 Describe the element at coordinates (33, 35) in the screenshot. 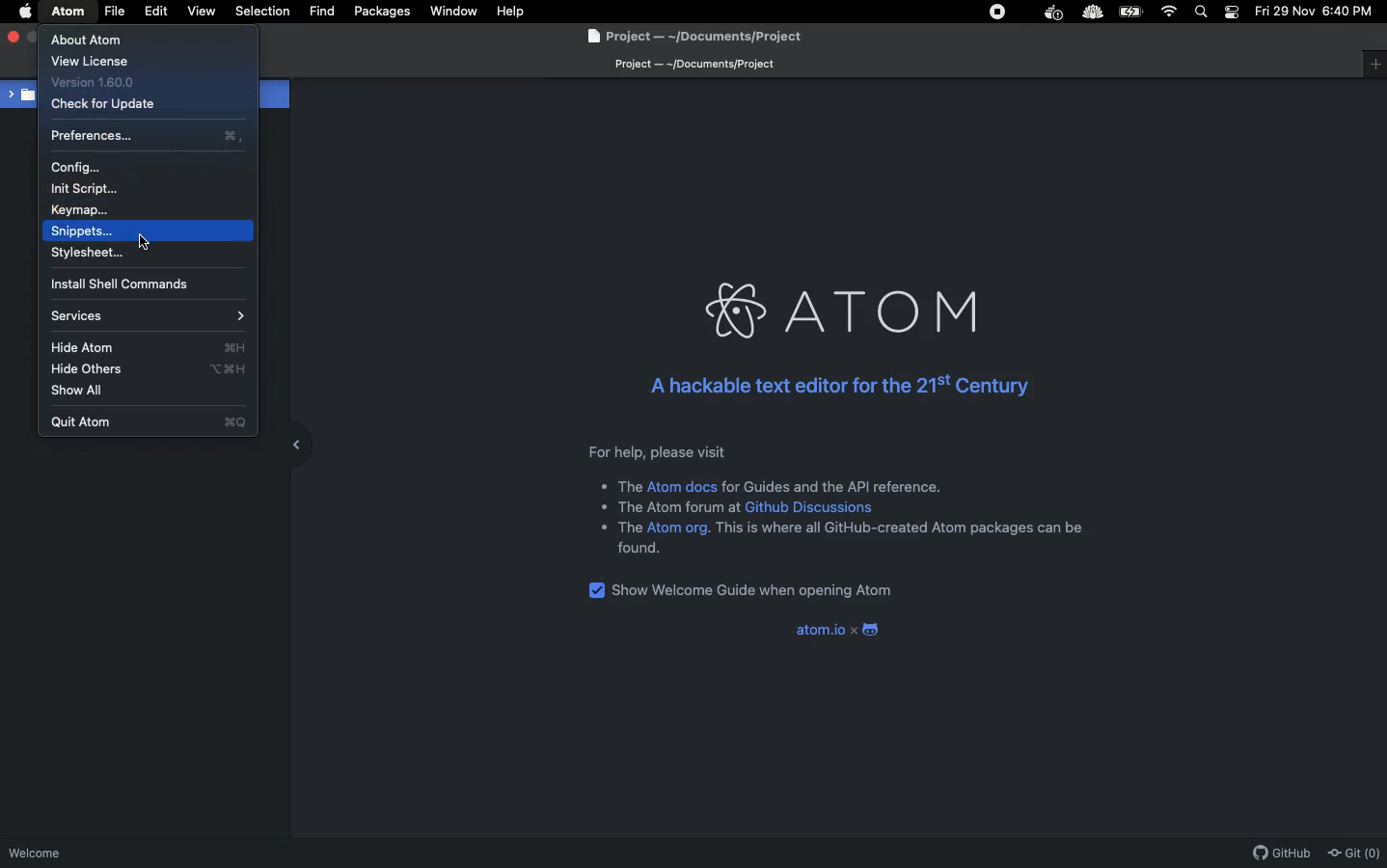

I see `Minimize` at that location.